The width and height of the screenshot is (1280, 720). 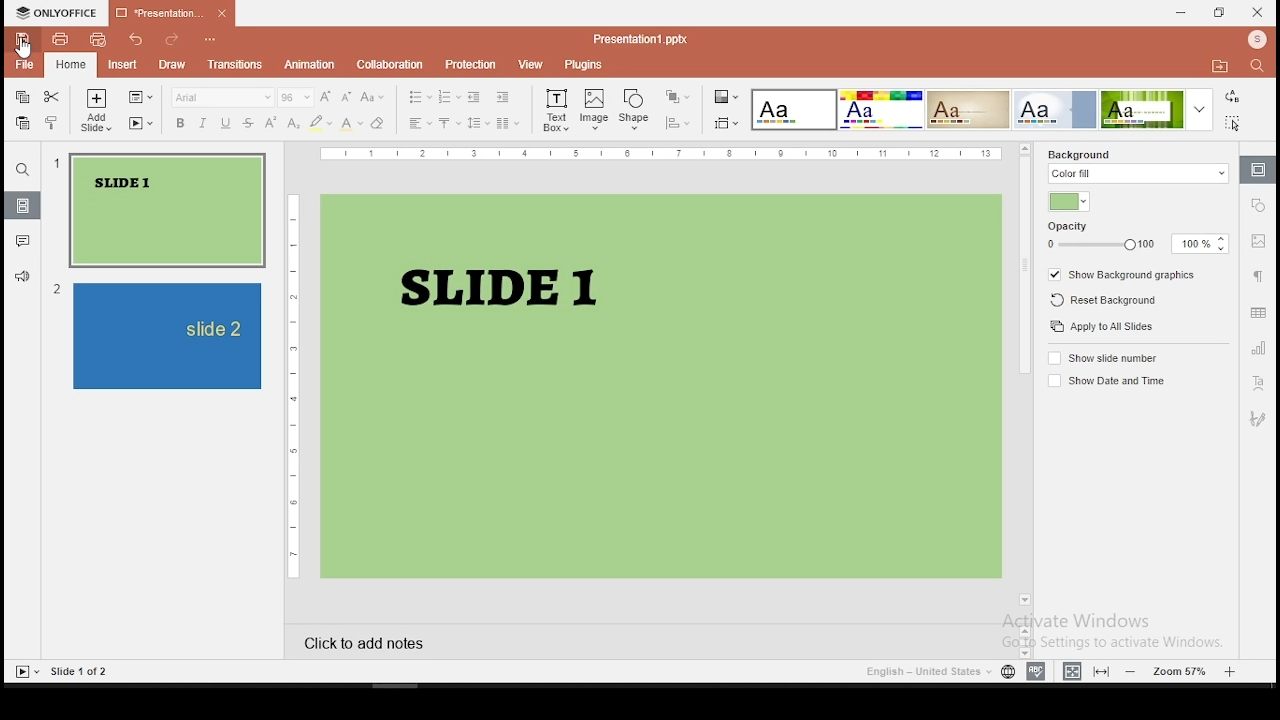 What do you see at coordinates (502, 97) in the screenshot?
I see `increase indent` at bounding box center [502, 97].